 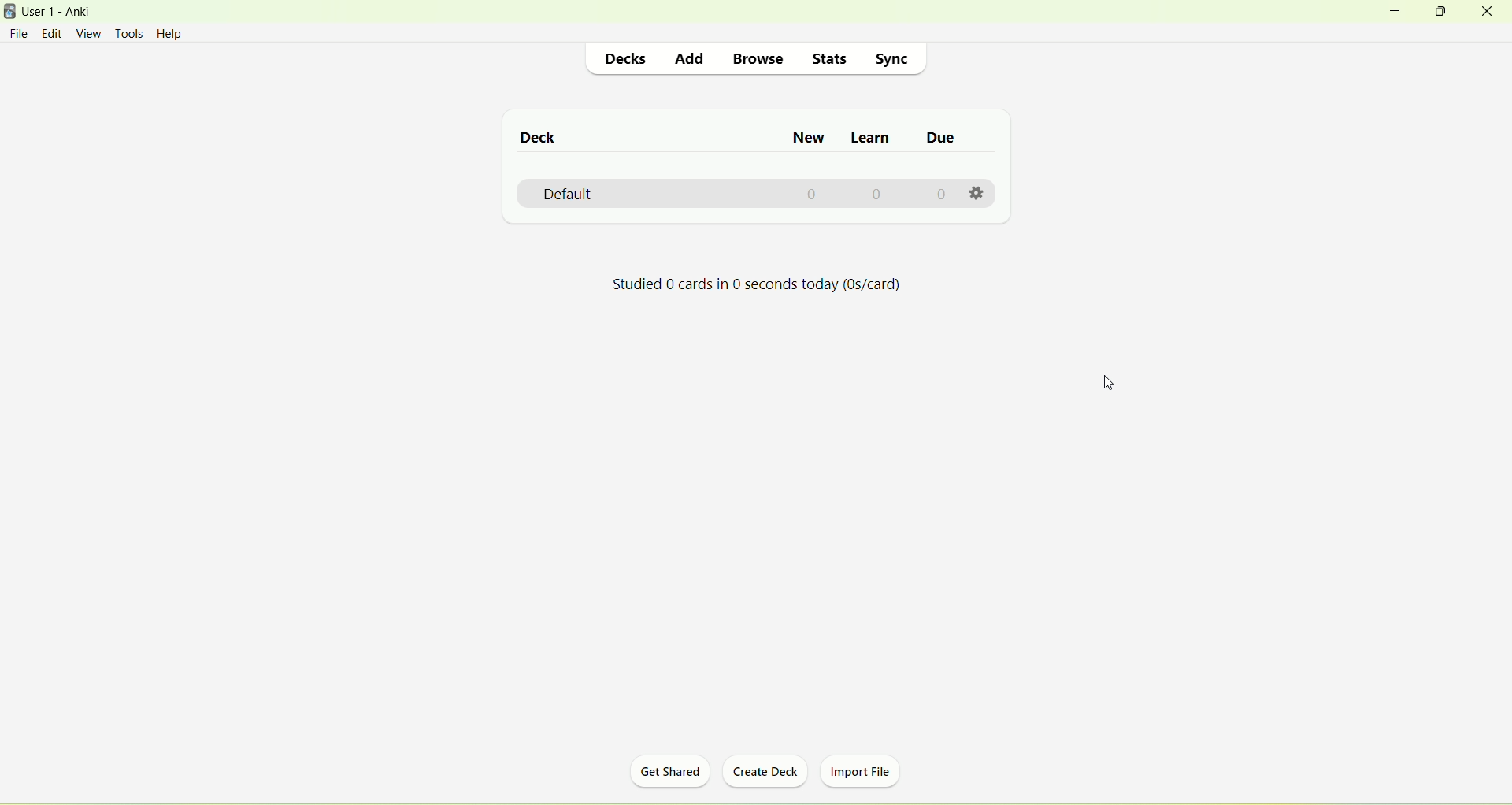 What do you see at coordinates (864, 138) in the screenshot?
I see `learn` at bounding box center [864, 138].